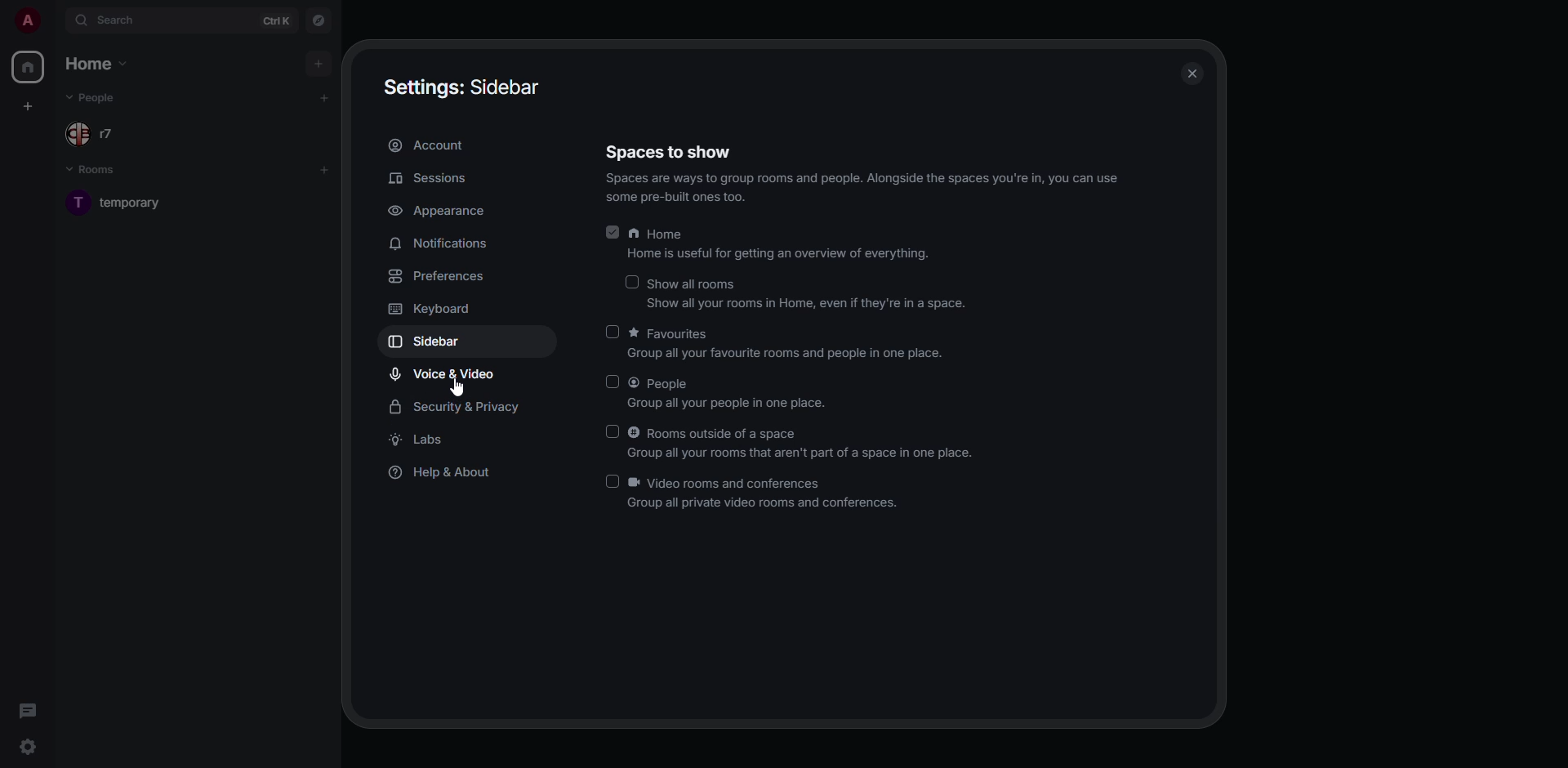  What do you see at coordinates (321, 21) in the screenshot?
I see `navigator` at bounding box center [321, 21].